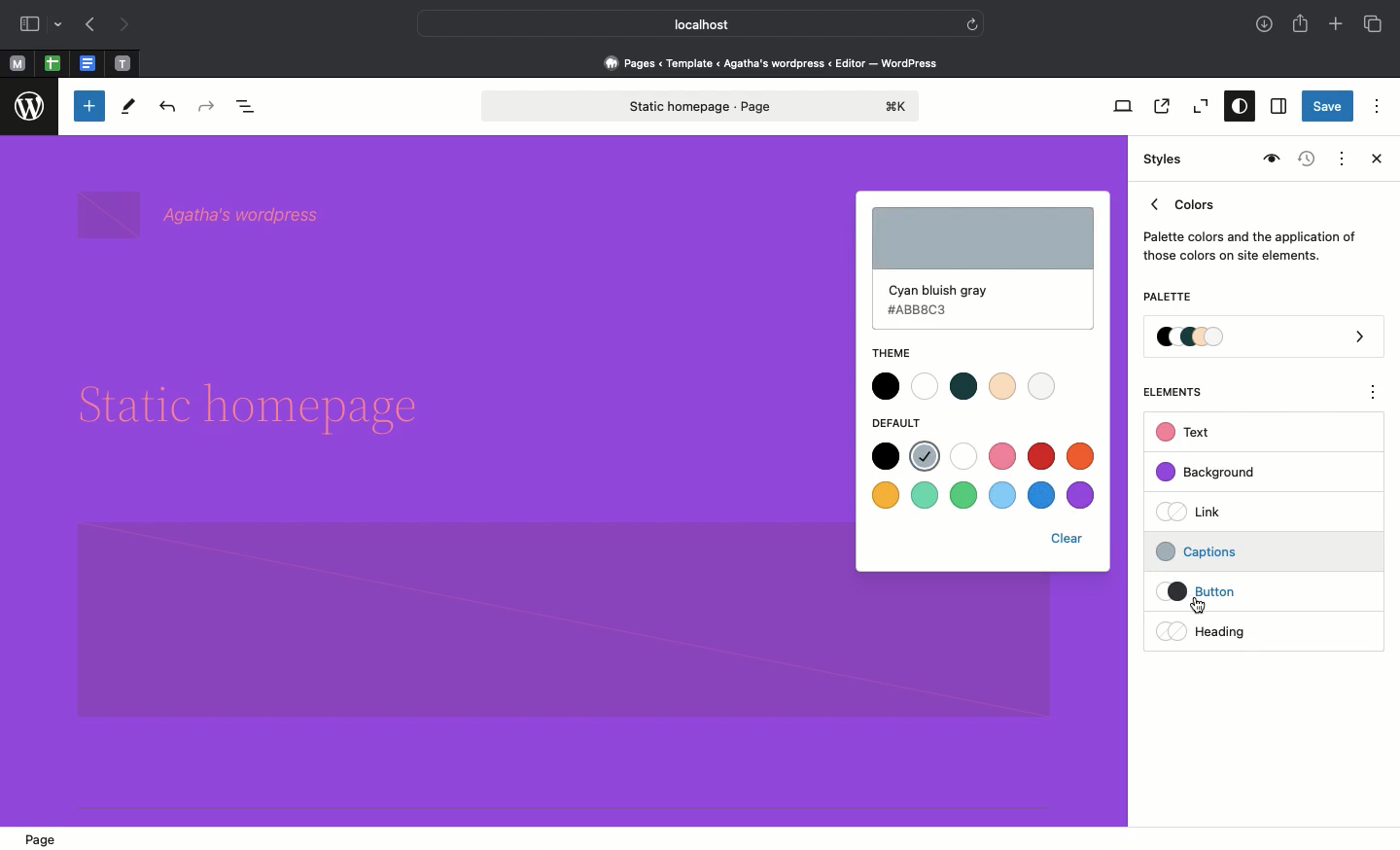 Image resolution: width=1400 pixels, height=850 pixels. Describe the element at coordinates (1374, 395) in the screenshot. I see `options` at that location.